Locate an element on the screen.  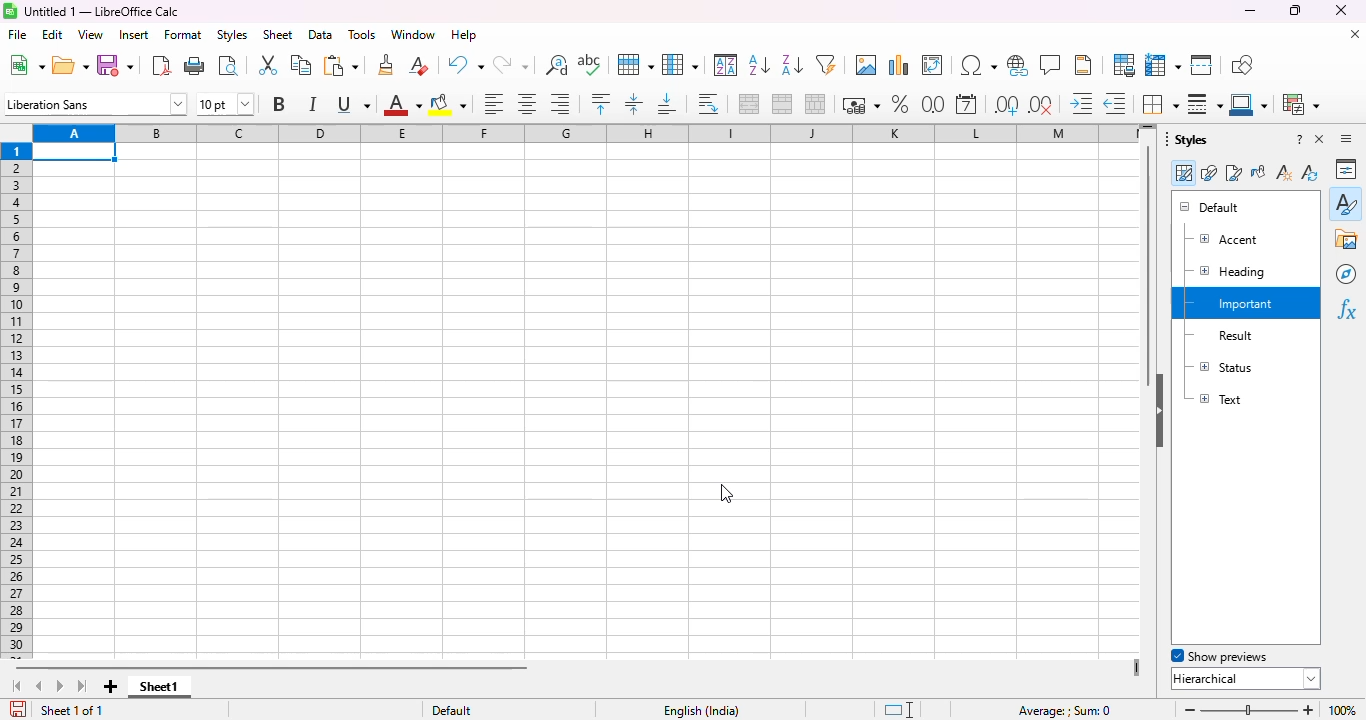
clone formatting is located at coordinates (386, 65).